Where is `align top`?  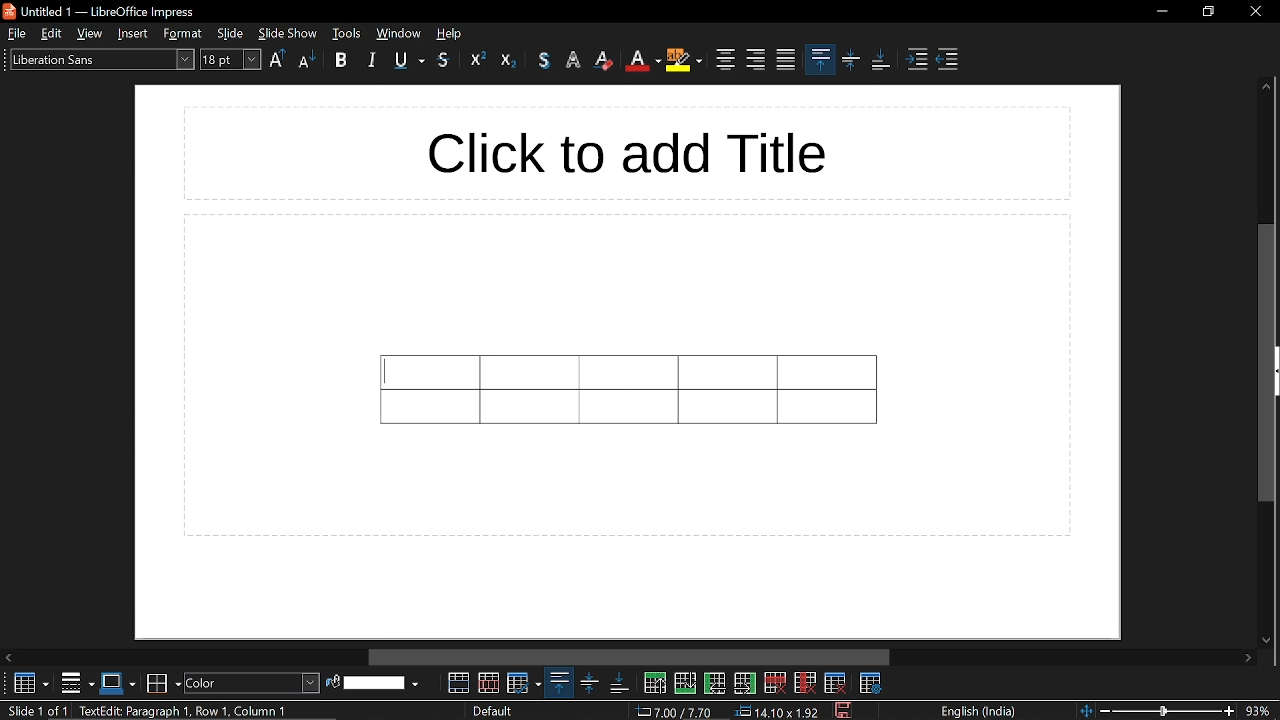 align top is located at coordinates (558, 683).